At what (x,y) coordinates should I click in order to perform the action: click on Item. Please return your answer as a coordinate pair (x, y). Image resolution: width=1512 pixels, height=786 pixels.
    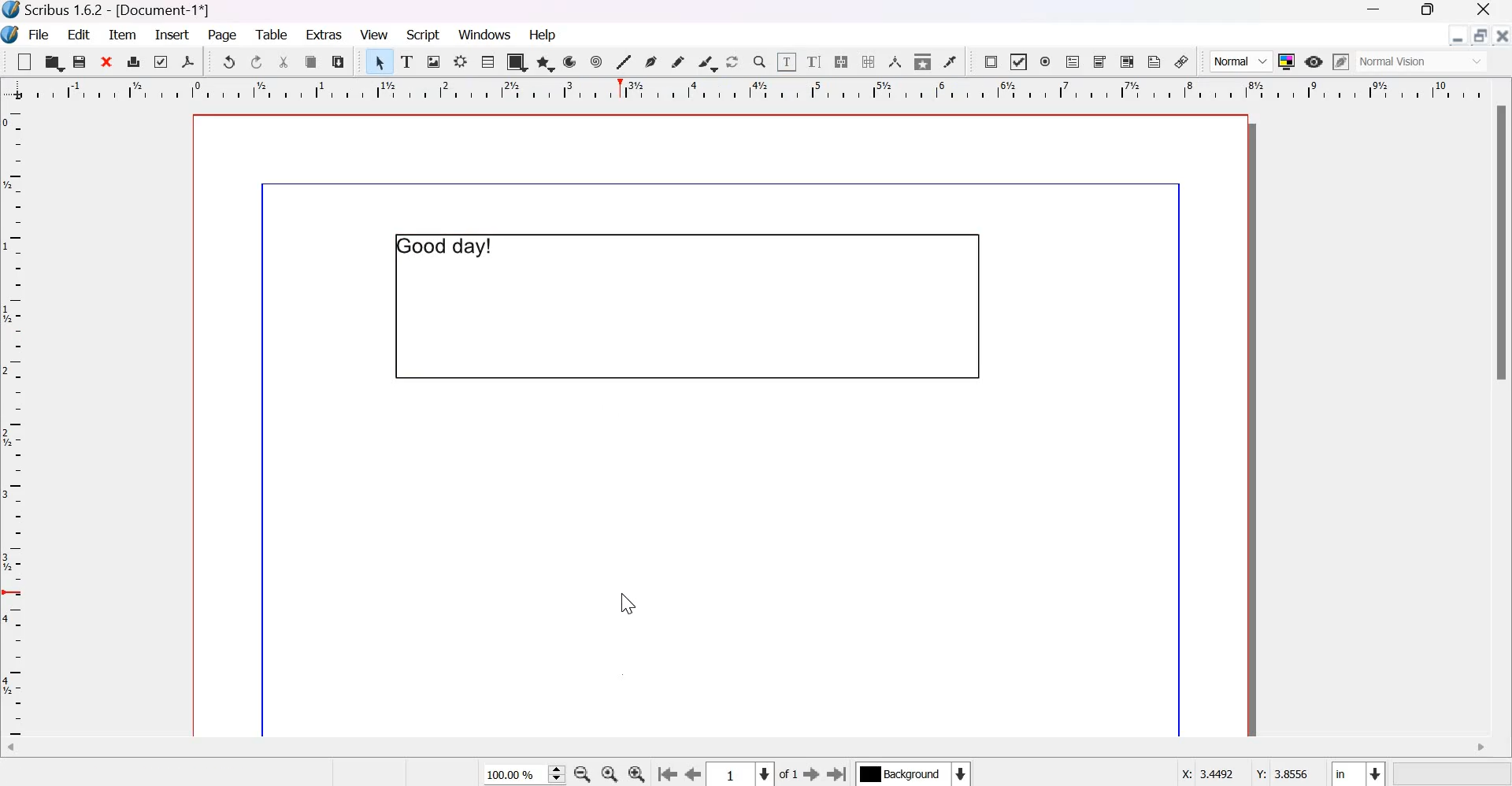
    Looking at the image, I should click on (123, 35).